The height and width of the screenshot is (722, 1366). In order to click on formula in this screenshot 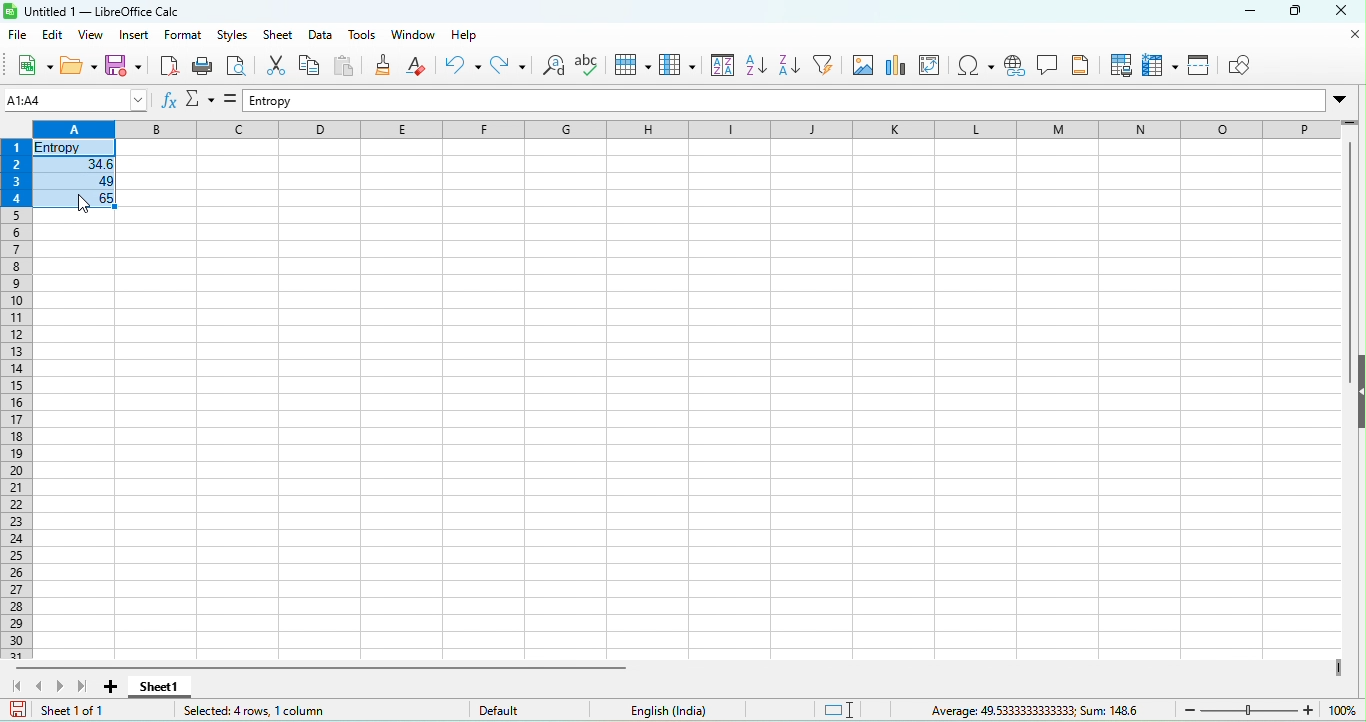, I will do `click(233, 100)`.